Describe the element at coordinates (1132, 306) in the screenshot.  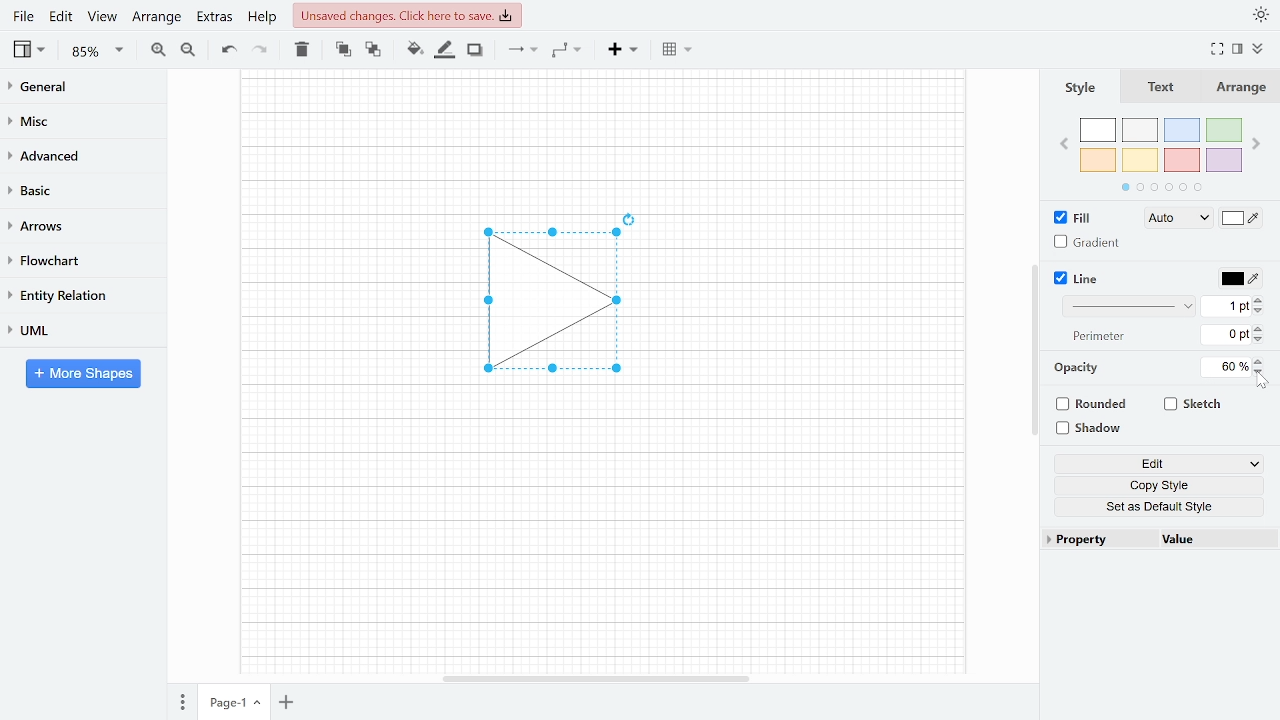
I see `Line style` at that location.